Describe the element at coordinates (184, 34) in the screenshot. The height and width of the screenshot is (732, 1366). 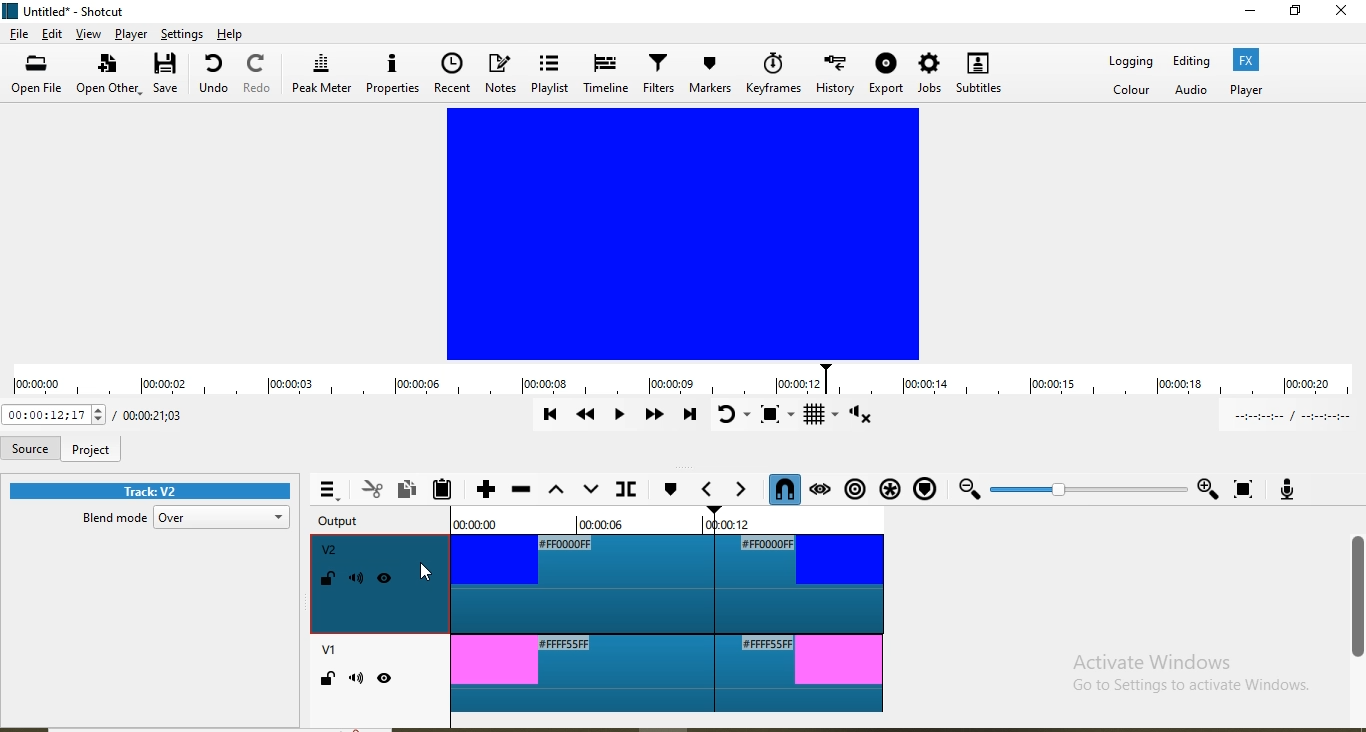
I see `Settings` at that location.